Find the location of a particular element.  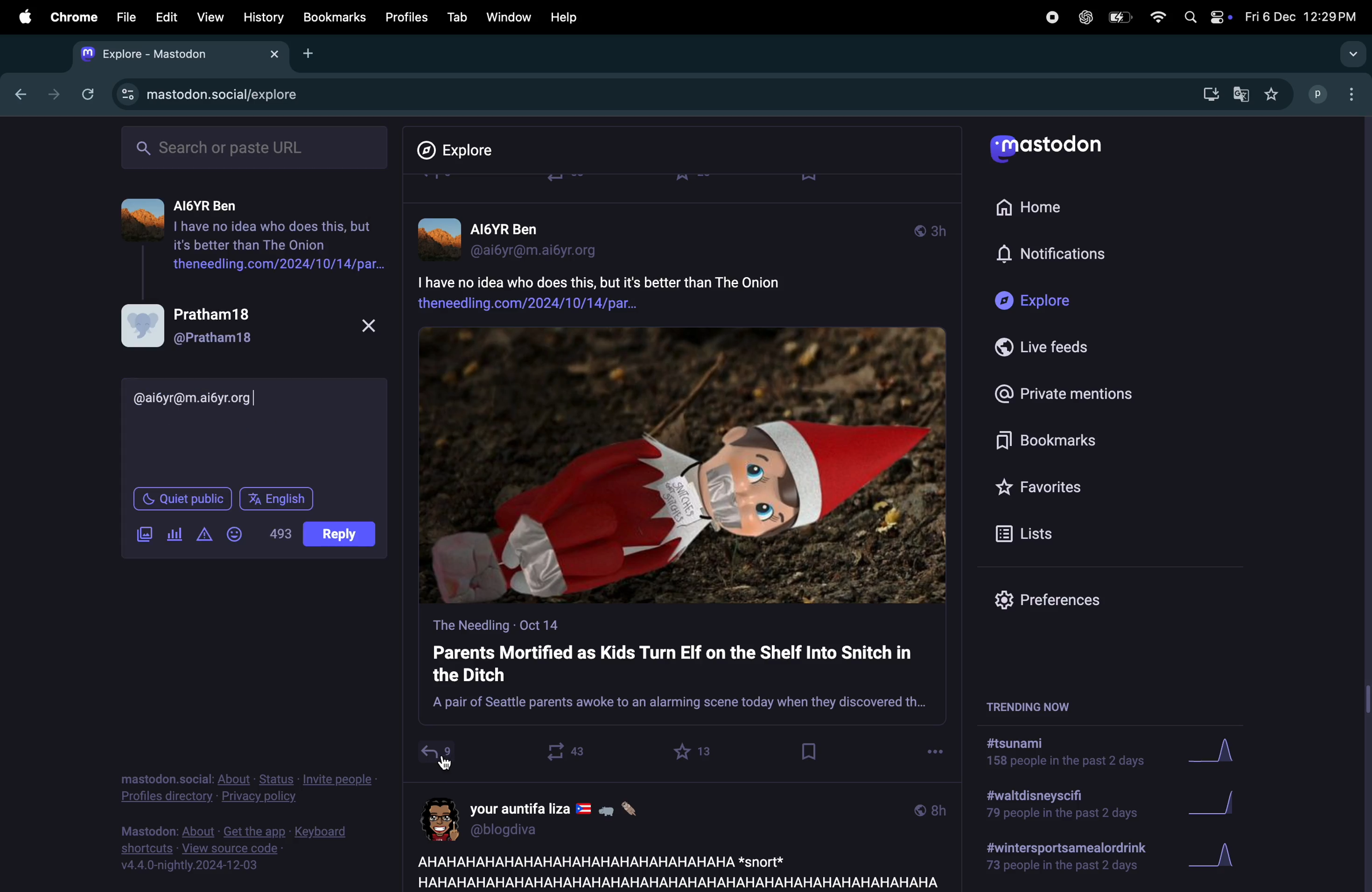

graph is located at coordinates (1213, 859).